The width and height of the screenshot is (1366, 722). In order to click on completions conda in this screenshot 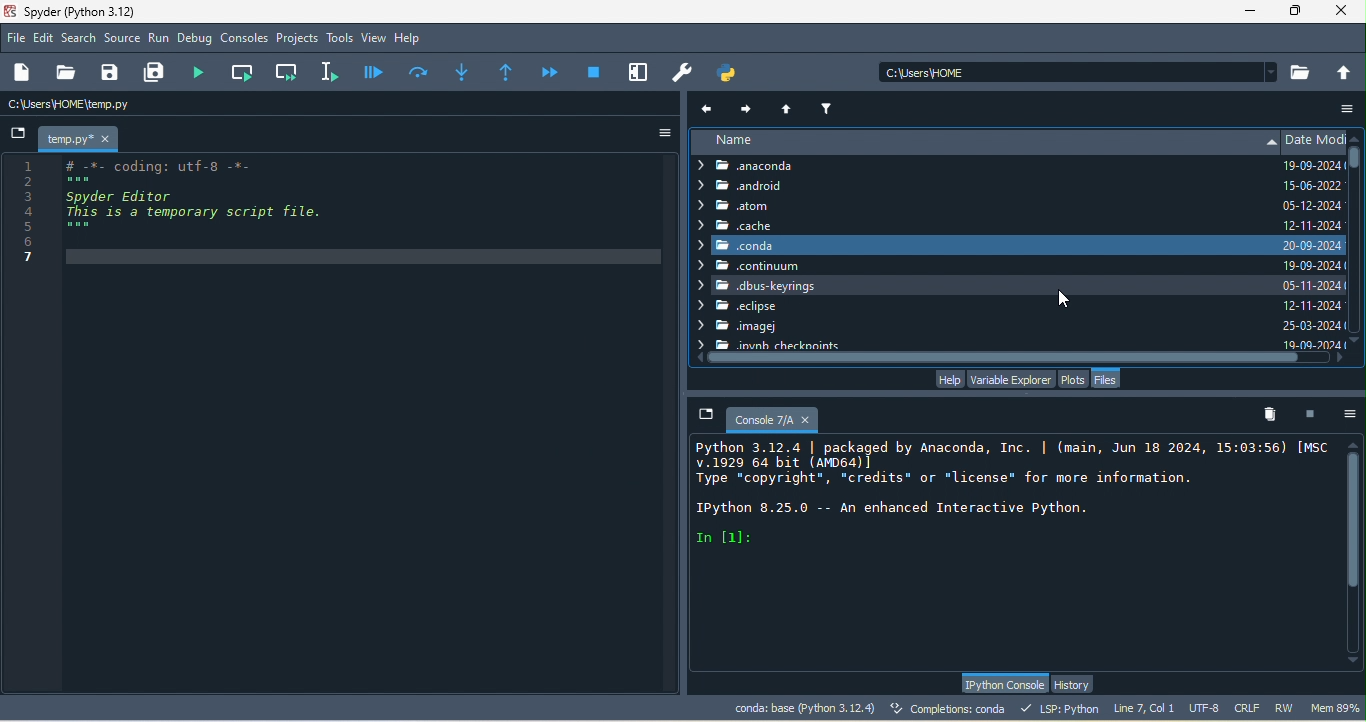, I will do `click(951, 710)`.